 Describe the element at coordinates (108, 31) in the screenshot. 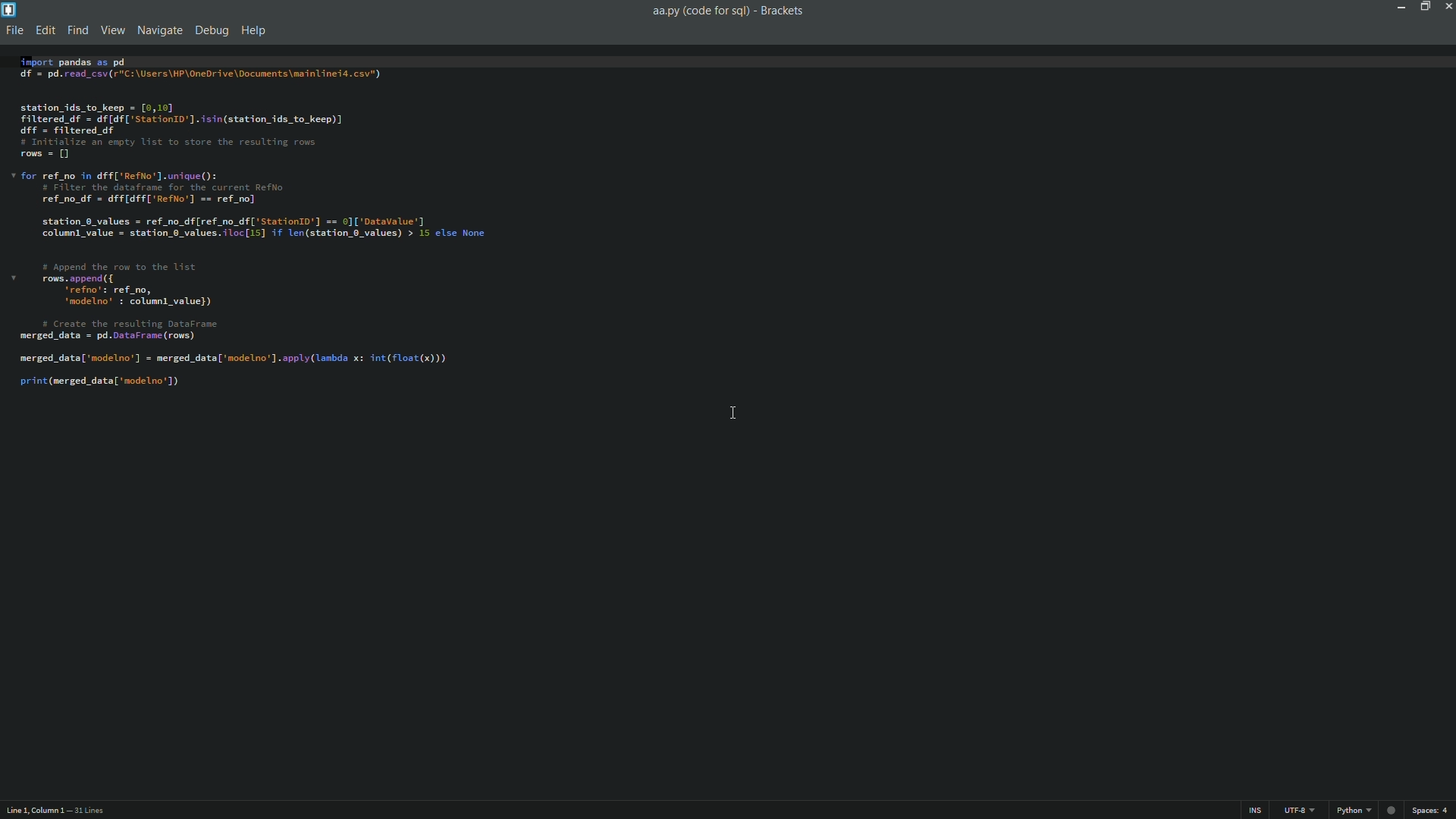

I see `view menu` at that location.